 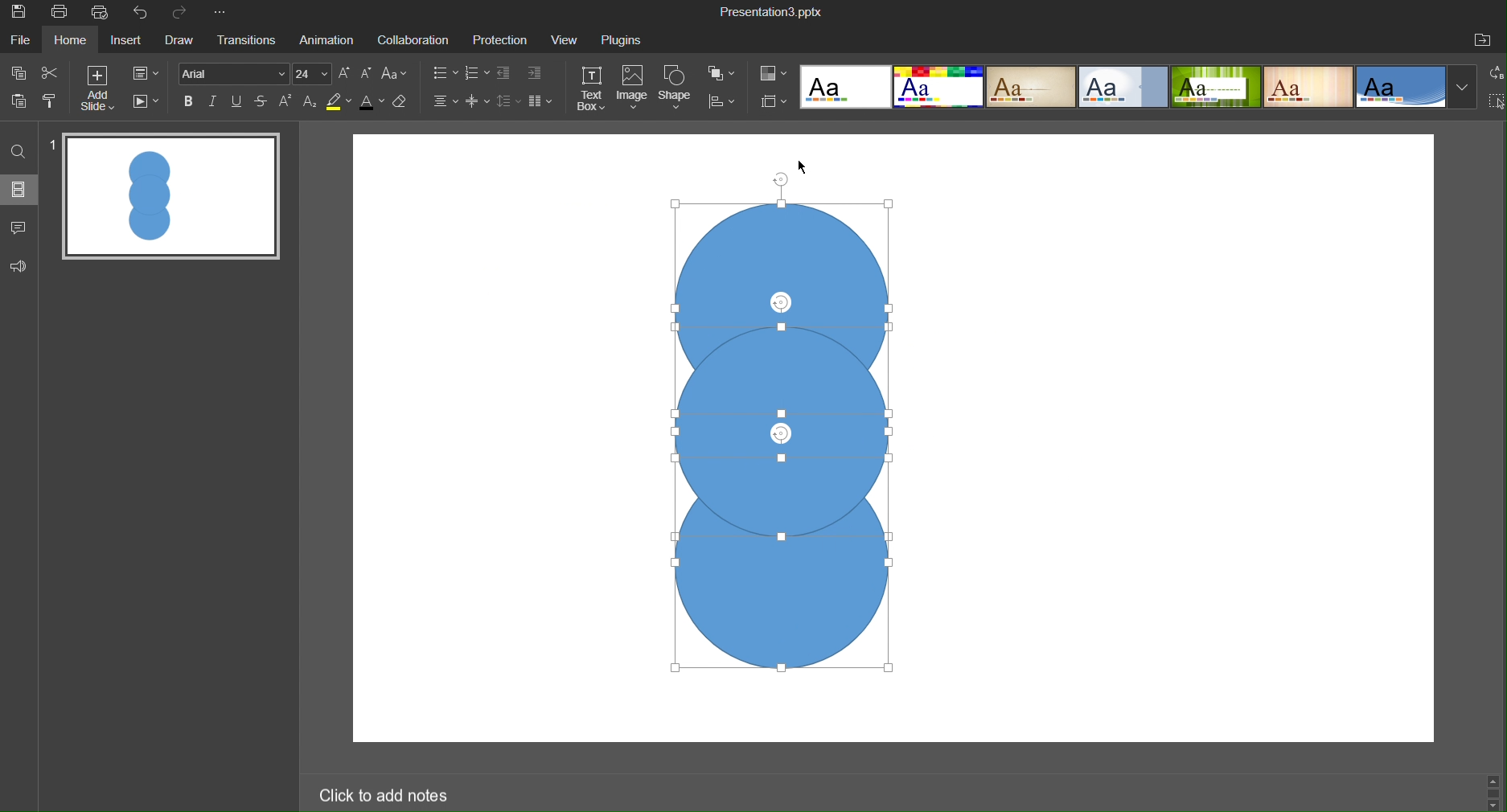 I want to click on Print, so click(x=63, y=13).